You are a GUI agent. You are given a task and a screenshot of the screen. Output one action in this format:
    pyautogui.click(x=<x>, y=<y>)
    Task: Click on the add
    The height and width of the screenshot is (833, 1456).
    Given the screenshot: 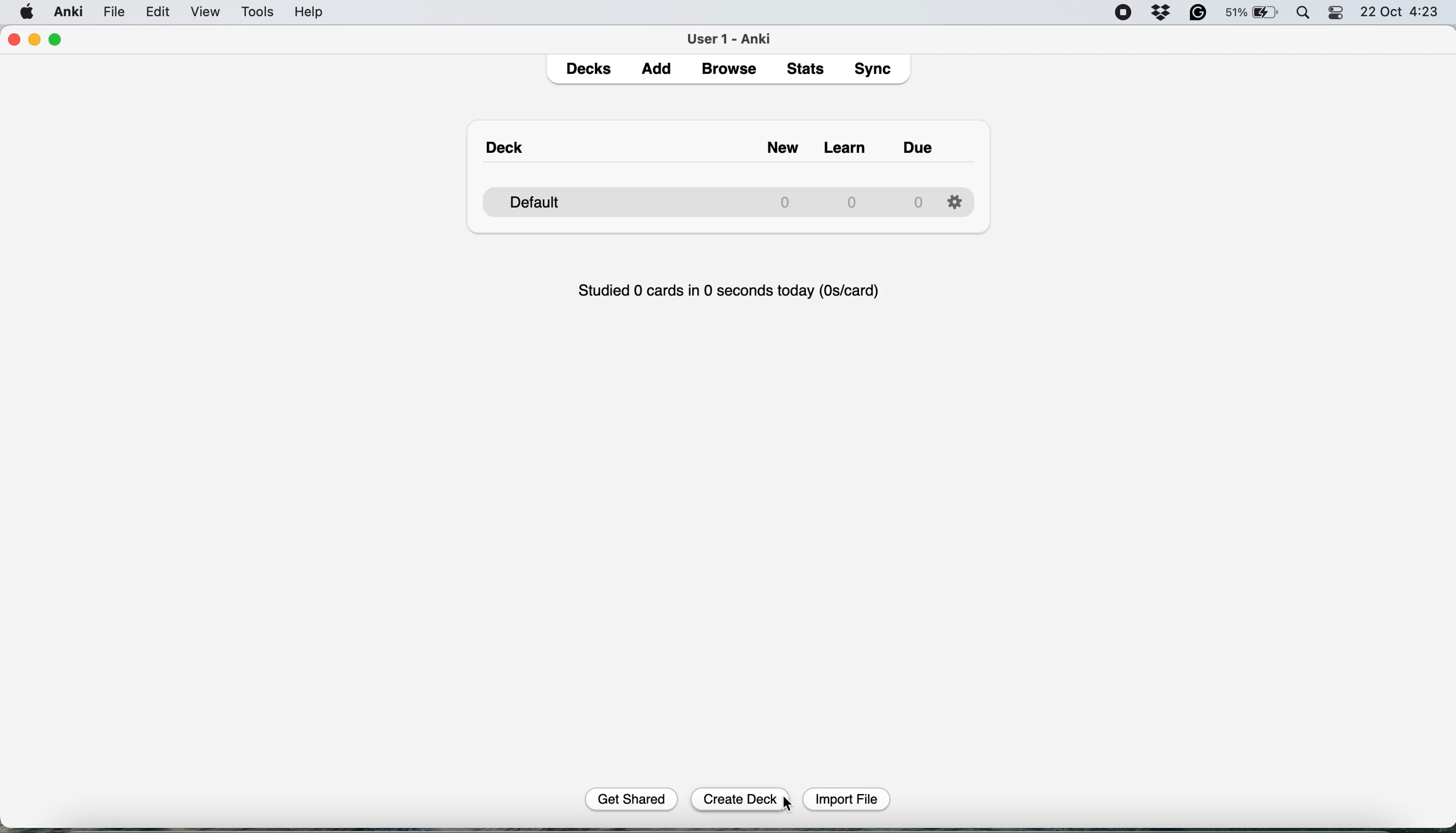 What is the action you would take?
    pyautogui.click(x=659, y=72)
    